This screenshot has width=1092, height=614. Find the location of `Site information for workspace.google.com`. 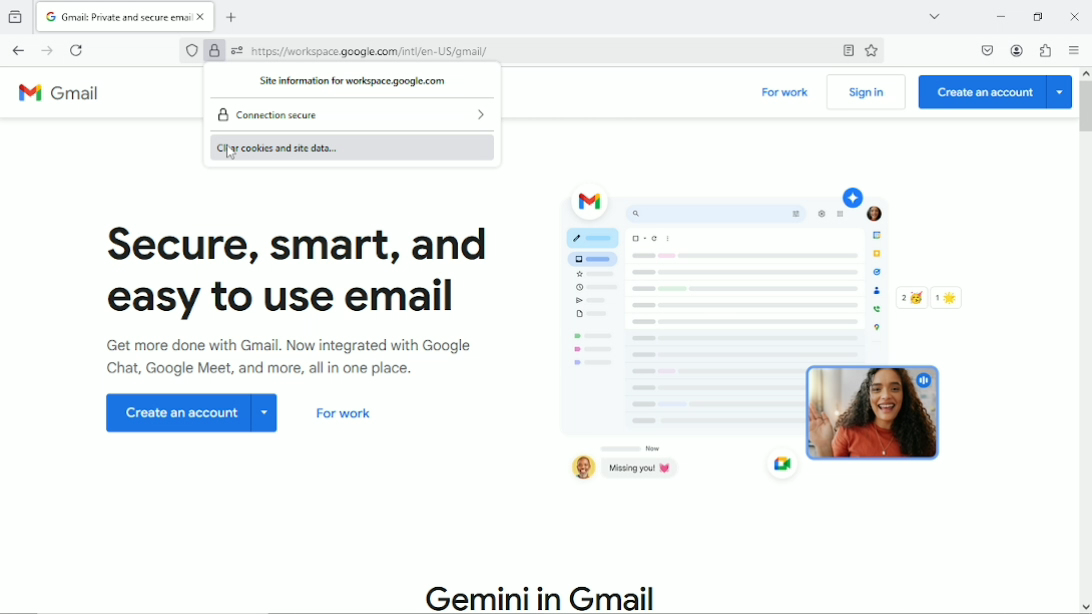

Site information for workspace.google.com is located at coordinates (352, 80).